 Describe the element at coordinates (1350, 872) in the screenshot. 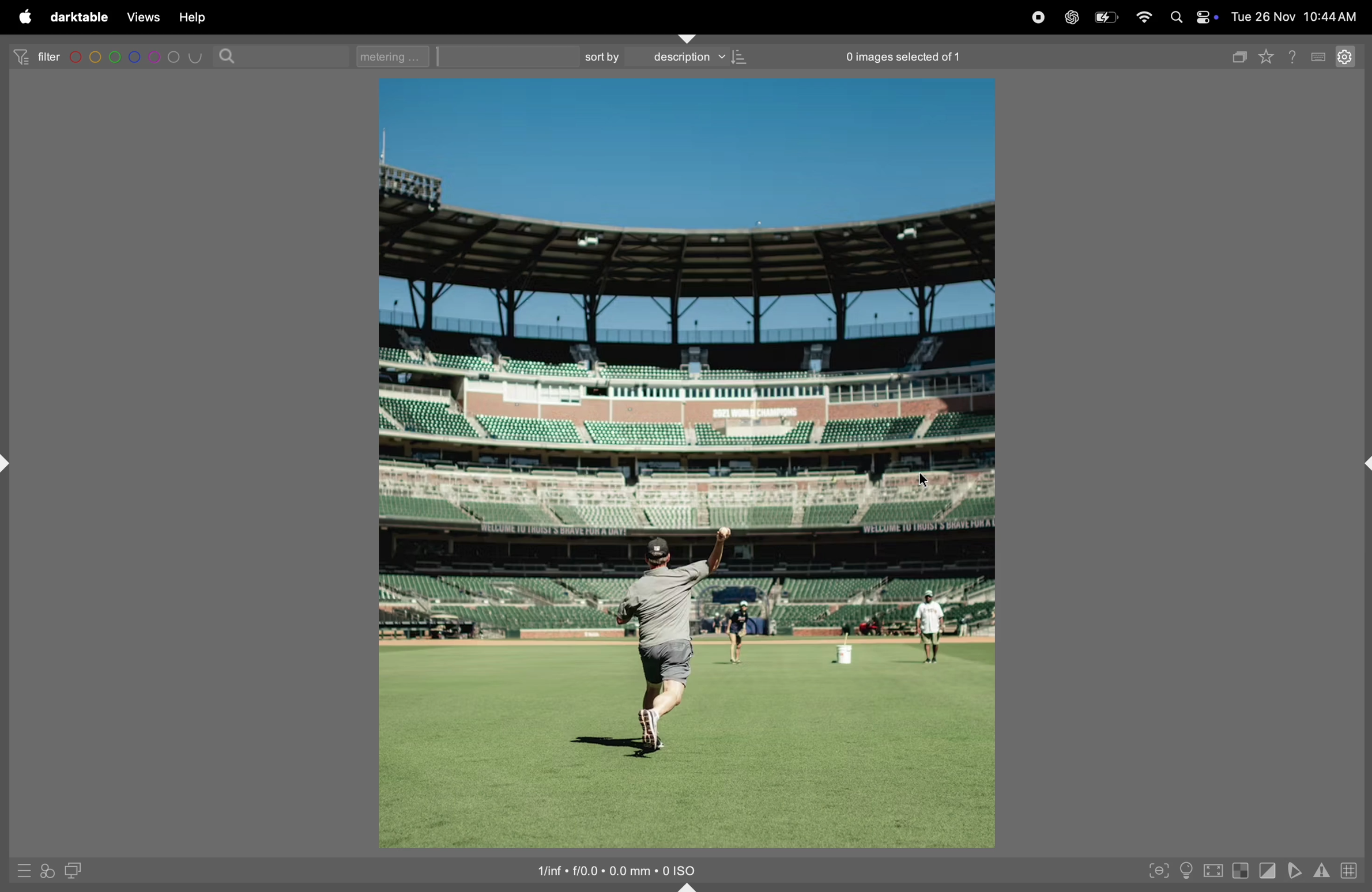

I see `toggle guide lines` at that location.